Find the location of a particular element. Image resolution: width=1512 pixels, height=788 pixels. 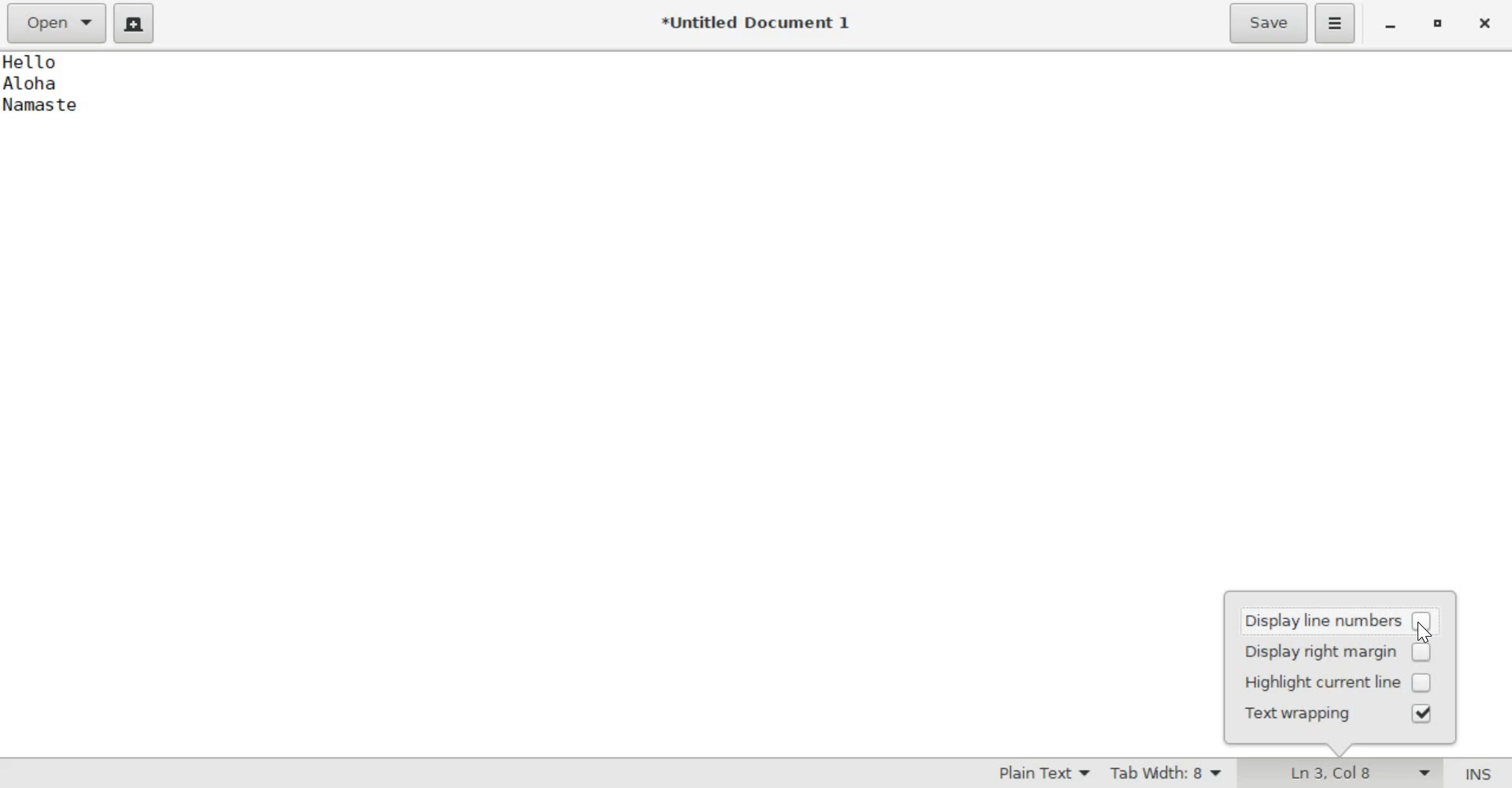

Syntax Mode: Plain Text is located at coordinates (1041, 772).